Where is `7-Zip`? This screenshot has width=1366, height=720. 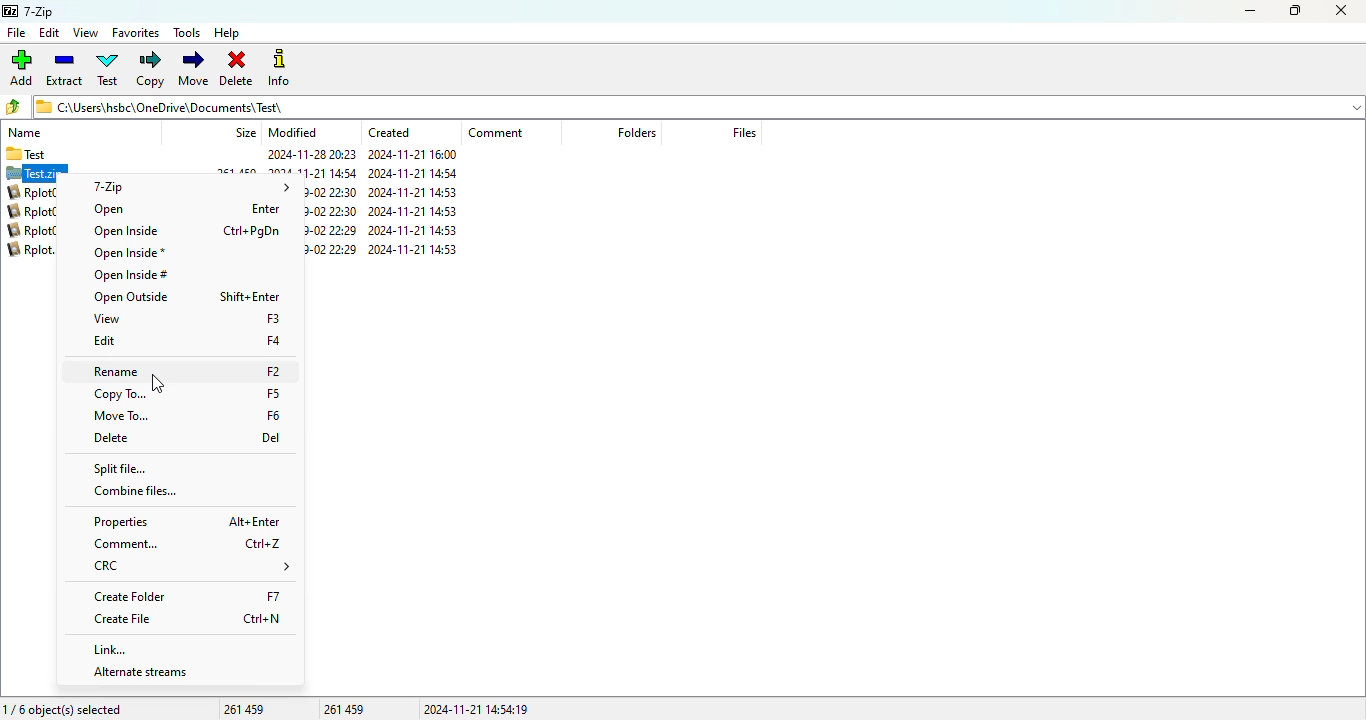 7-Zip is located at coordinates (30, 12).